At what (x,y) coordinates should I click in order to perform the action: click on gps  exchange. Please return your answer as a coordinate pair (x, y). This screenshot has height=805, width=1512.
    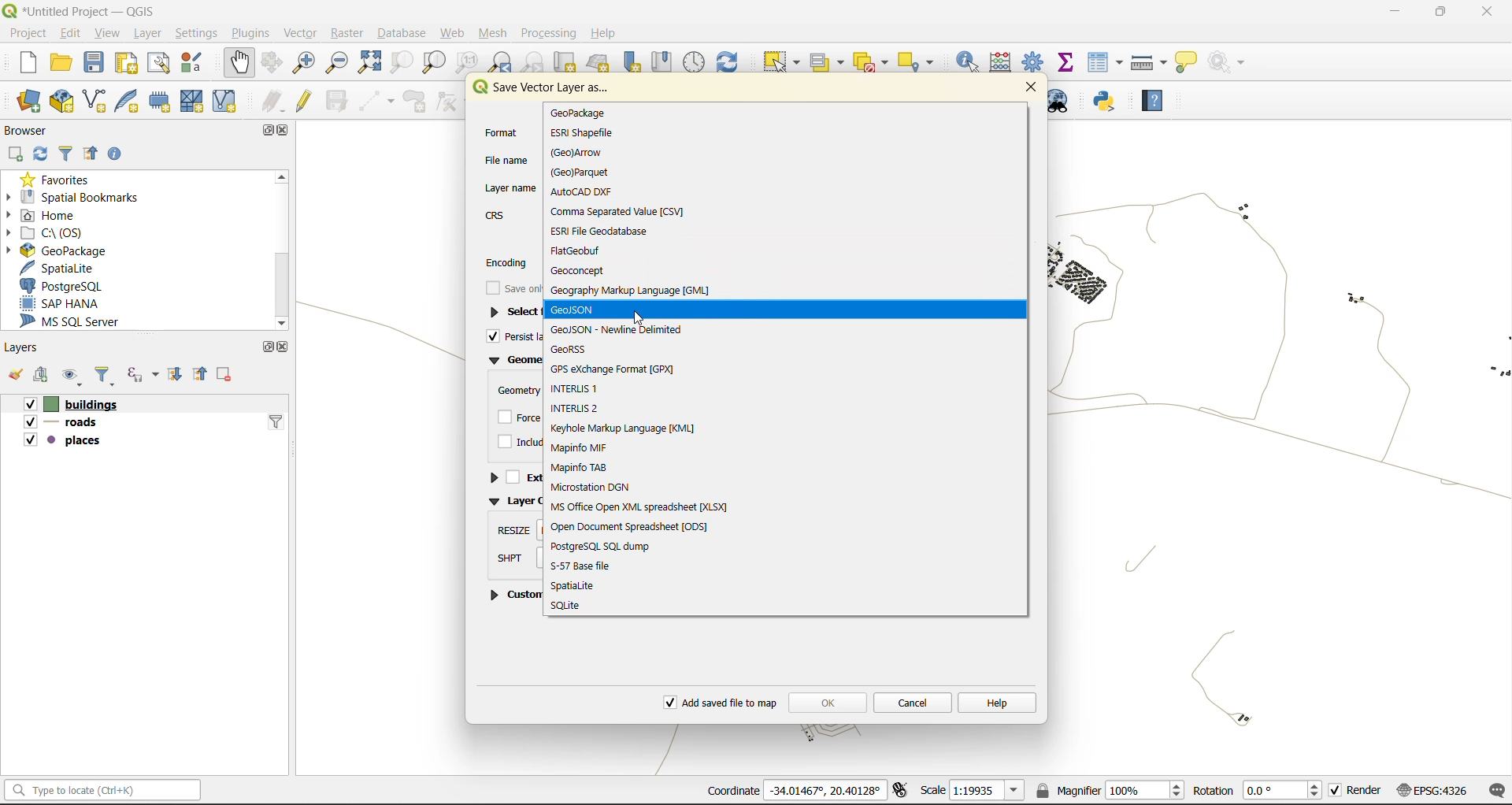
    Looking at the image, I should click on (616, 369).